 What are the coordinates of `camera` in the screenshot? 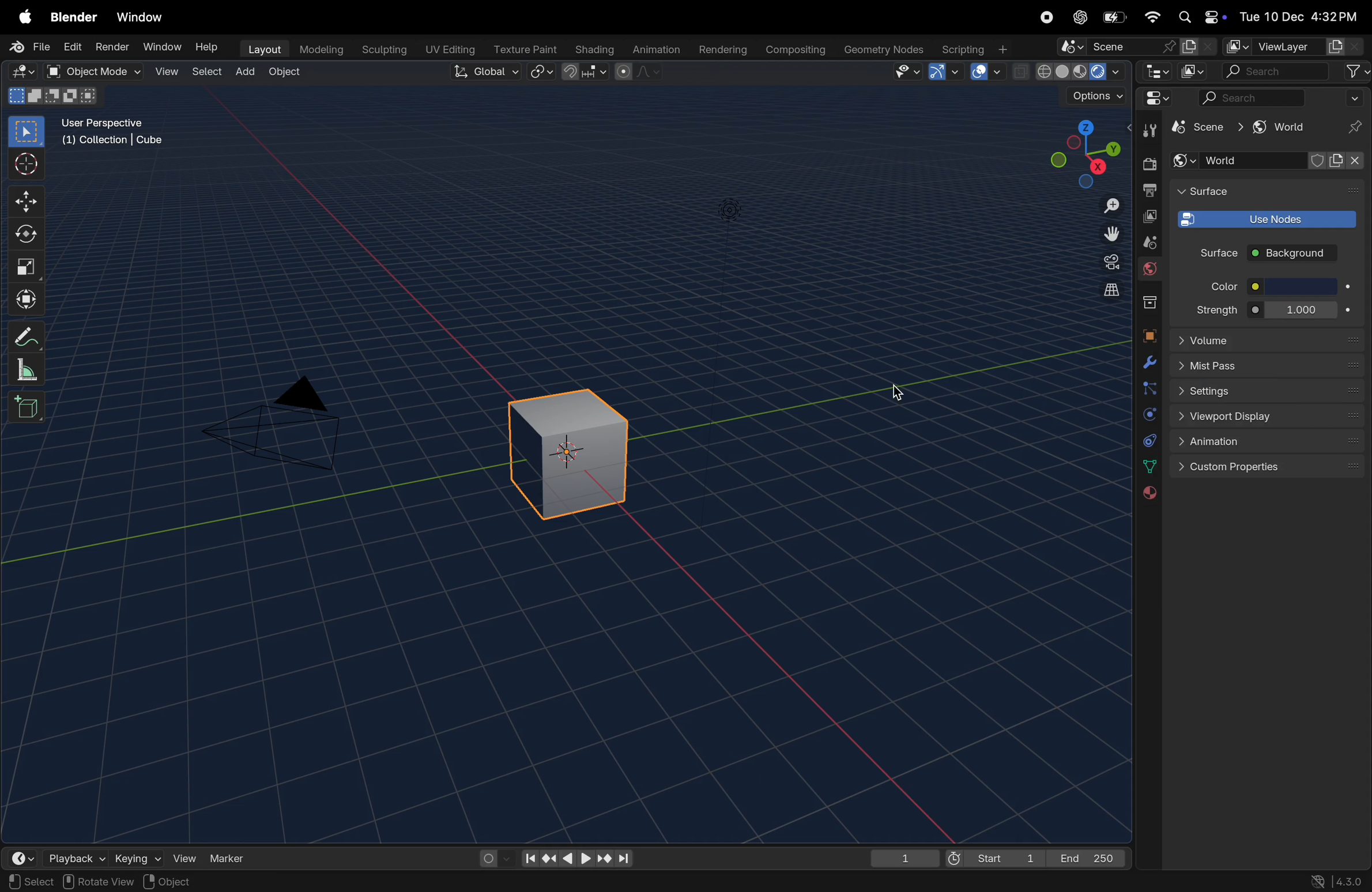 It's located at (285, 424).